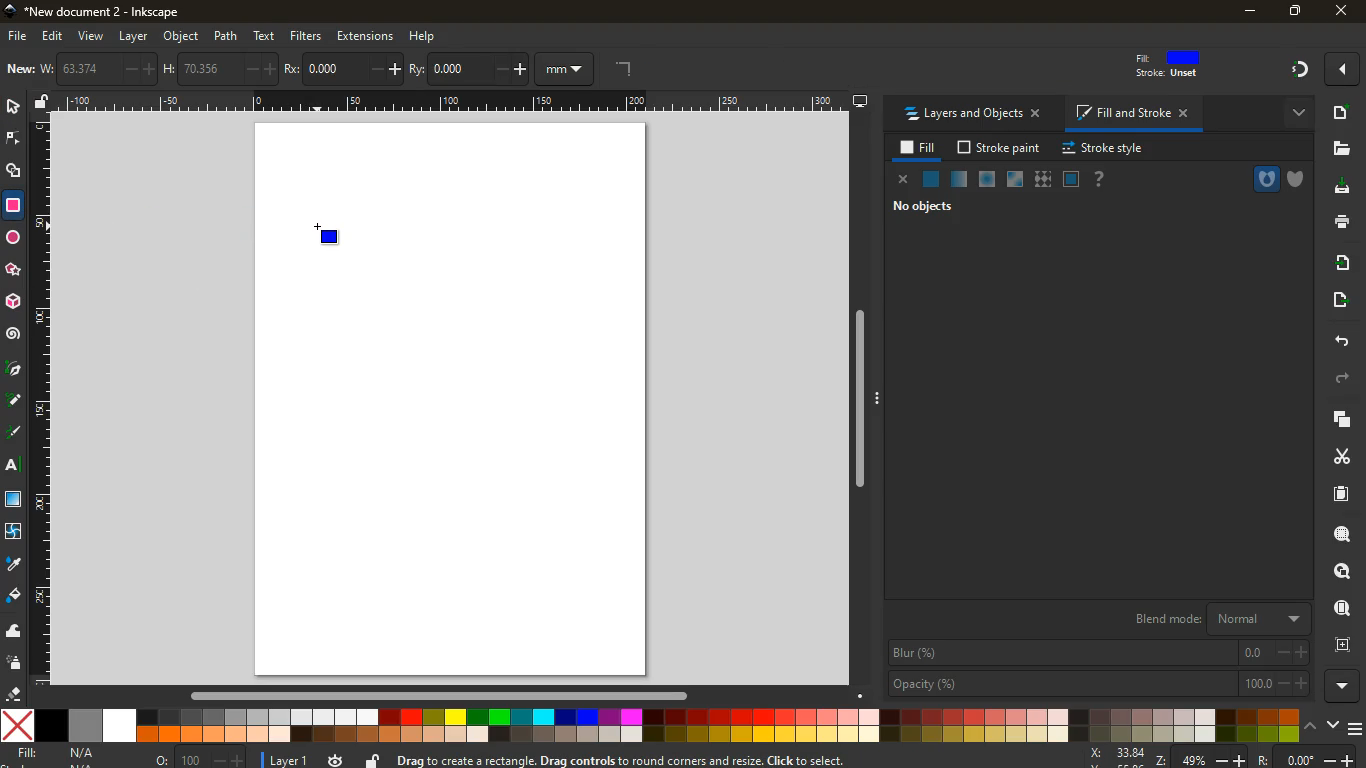 The height and width of the screenshot is (768, 1366). Describe the element at coordinates (288, 761) in the screenshot. I see `layer 1` at that location.